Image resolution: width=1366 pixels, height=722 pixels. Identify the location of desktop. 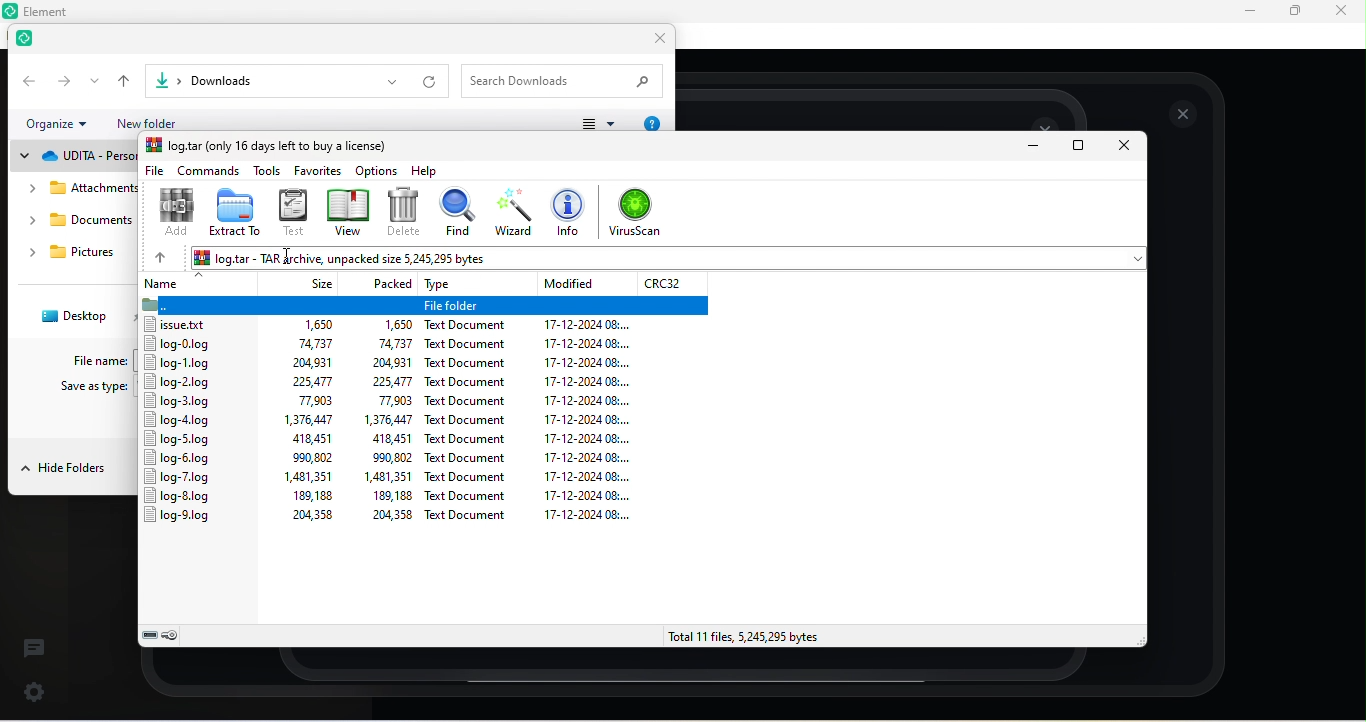
(79, 316).